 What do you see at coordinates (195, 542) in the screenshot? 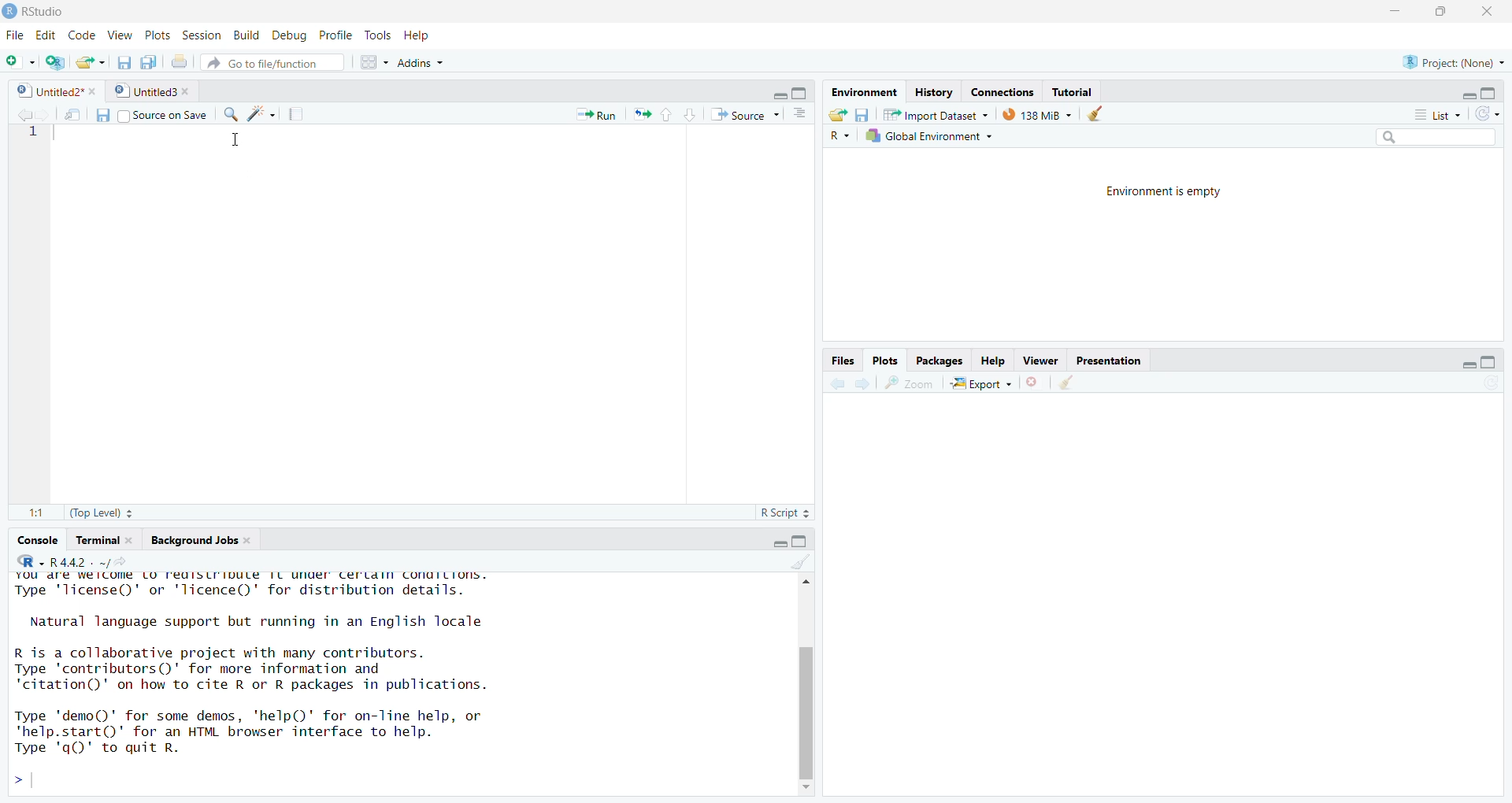
I see `ackground Jobs` at bounding box center [195, 542].